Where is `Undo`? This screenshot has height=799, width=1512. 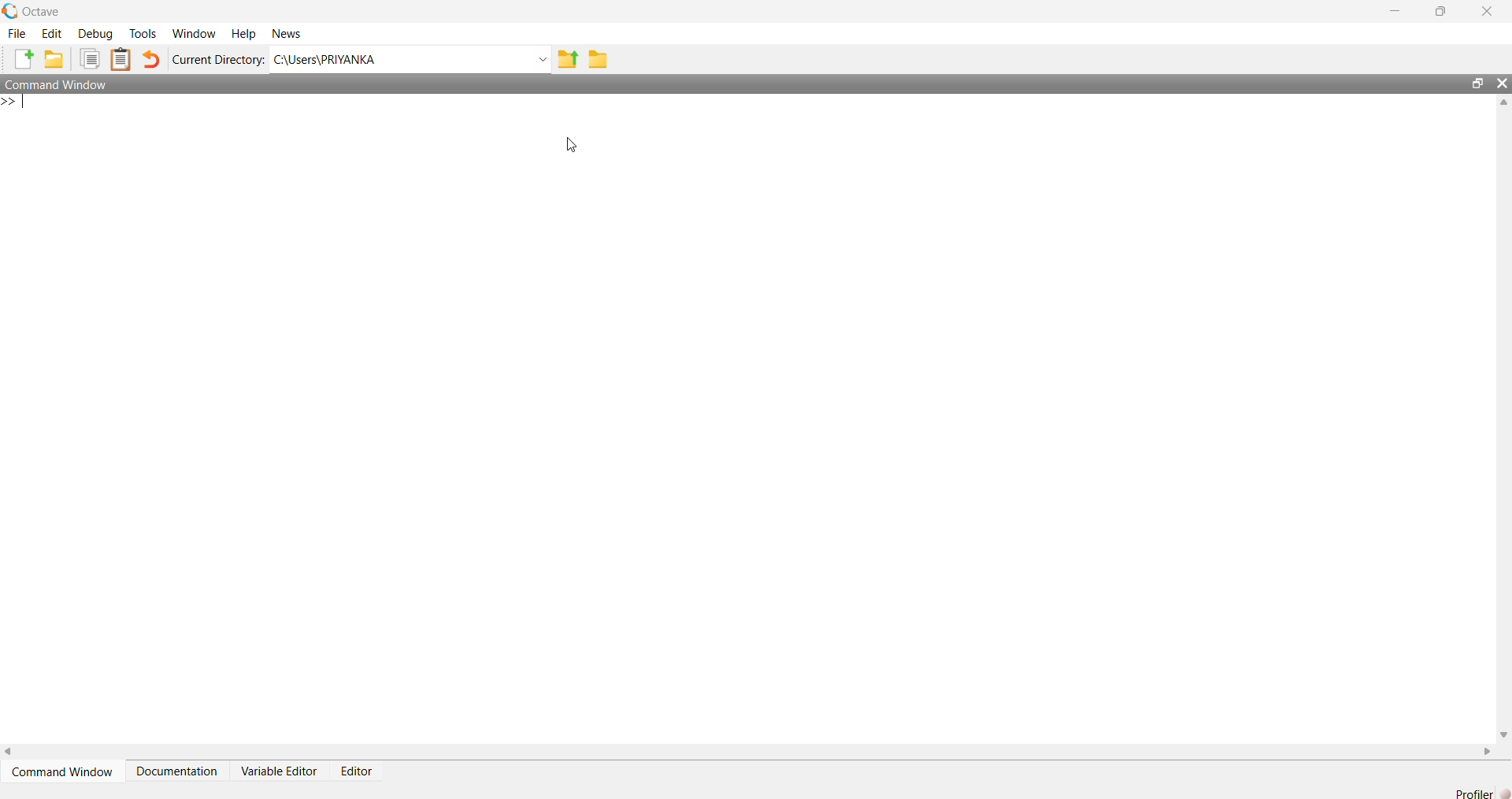 Undo is located at coordinates (152, 60).